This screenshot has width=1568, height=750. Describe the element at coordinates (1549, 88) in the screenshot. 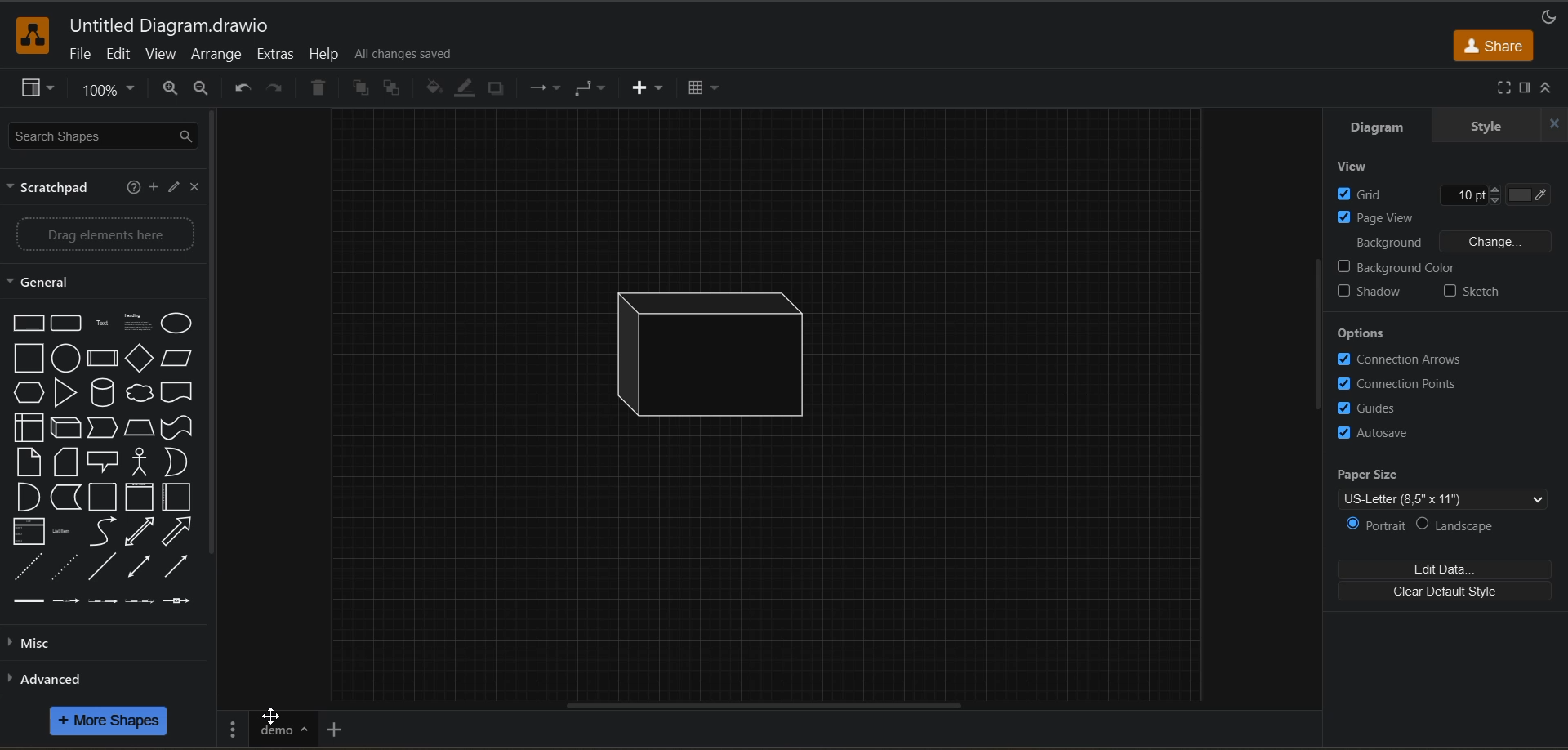

I see `collapse/expand` at that location.